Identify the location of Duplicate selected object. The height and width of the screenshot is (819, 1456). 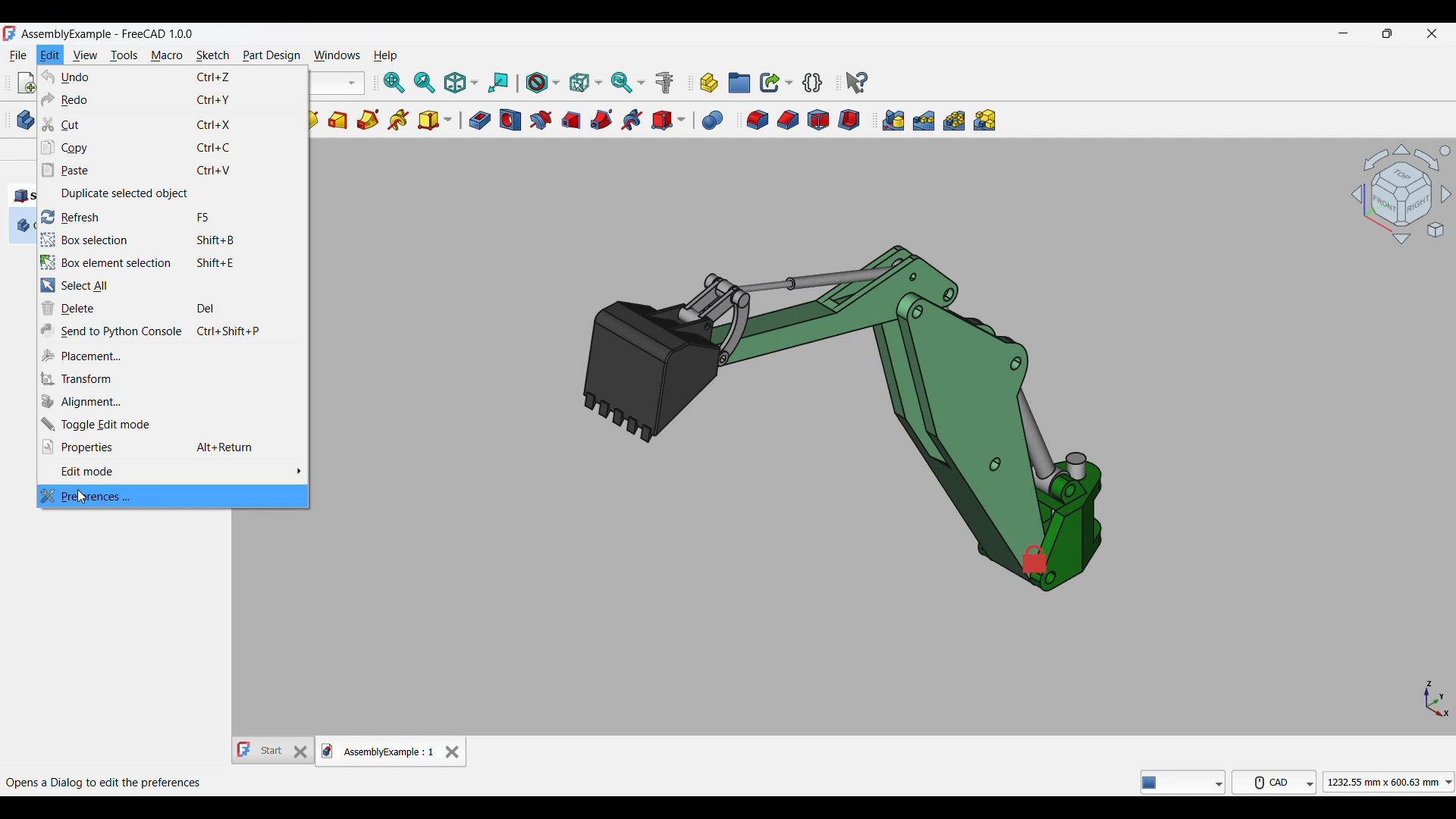
(174, 194).